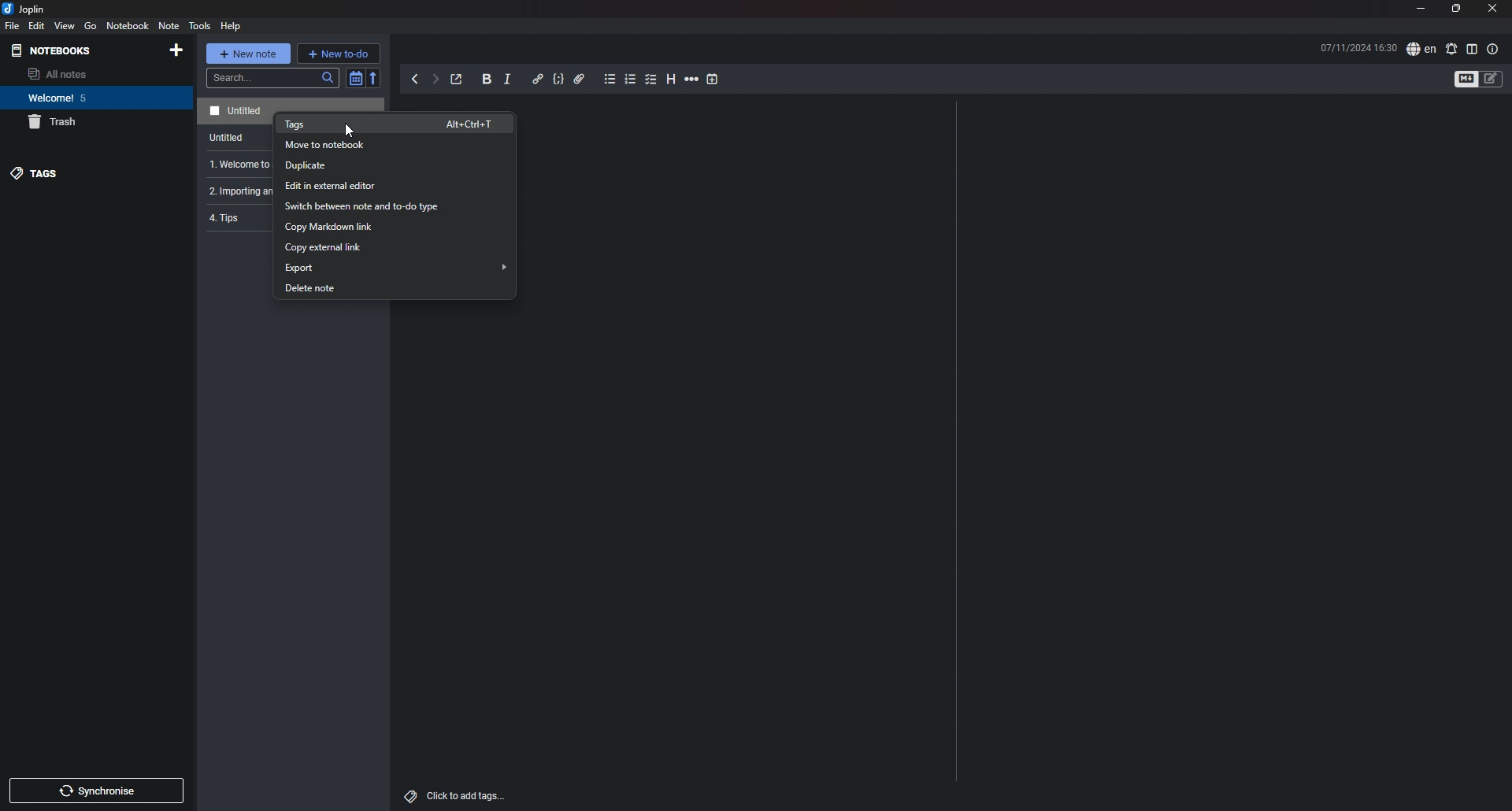 This screenshot has height=811, width=1512. Describe the element at coordinates (465, 794) in the screenshot. I see `add tags` at that location.